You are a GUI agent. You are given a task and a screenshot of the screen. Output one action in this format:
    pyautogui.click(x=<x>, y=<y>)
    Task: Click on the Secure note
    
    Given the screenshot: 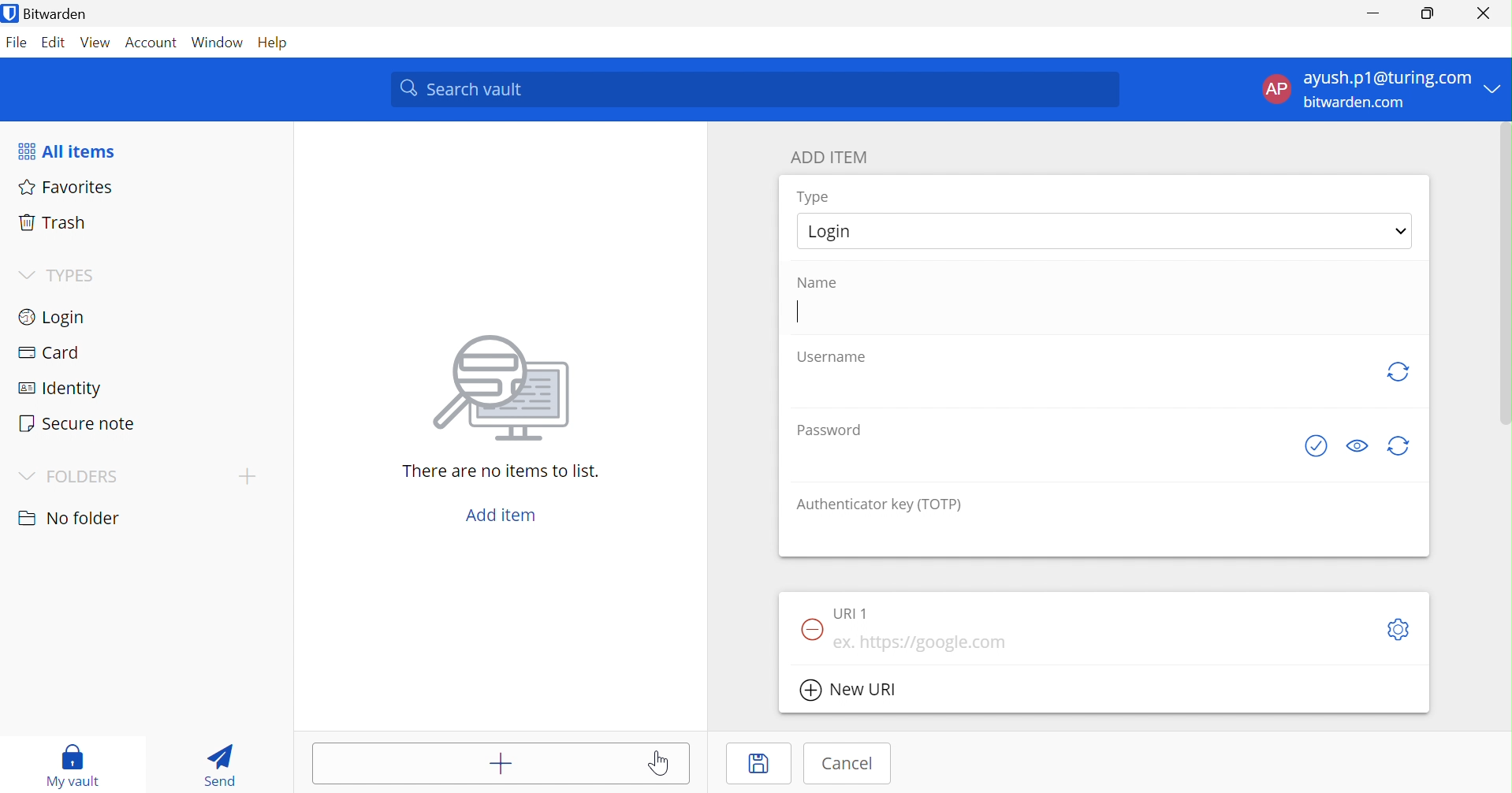 What is the action you would take?
    pyautogui.click(x=77, y=423)
    